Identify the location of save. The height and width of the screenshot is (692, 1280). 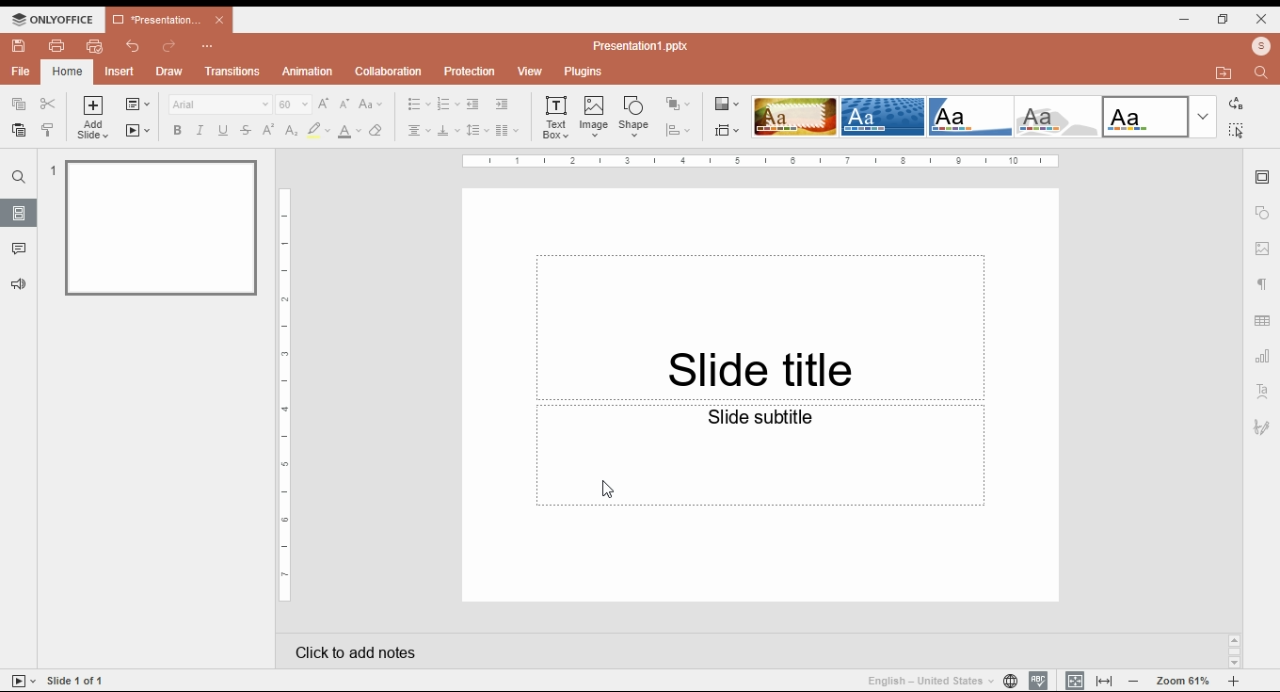
(18, 46).